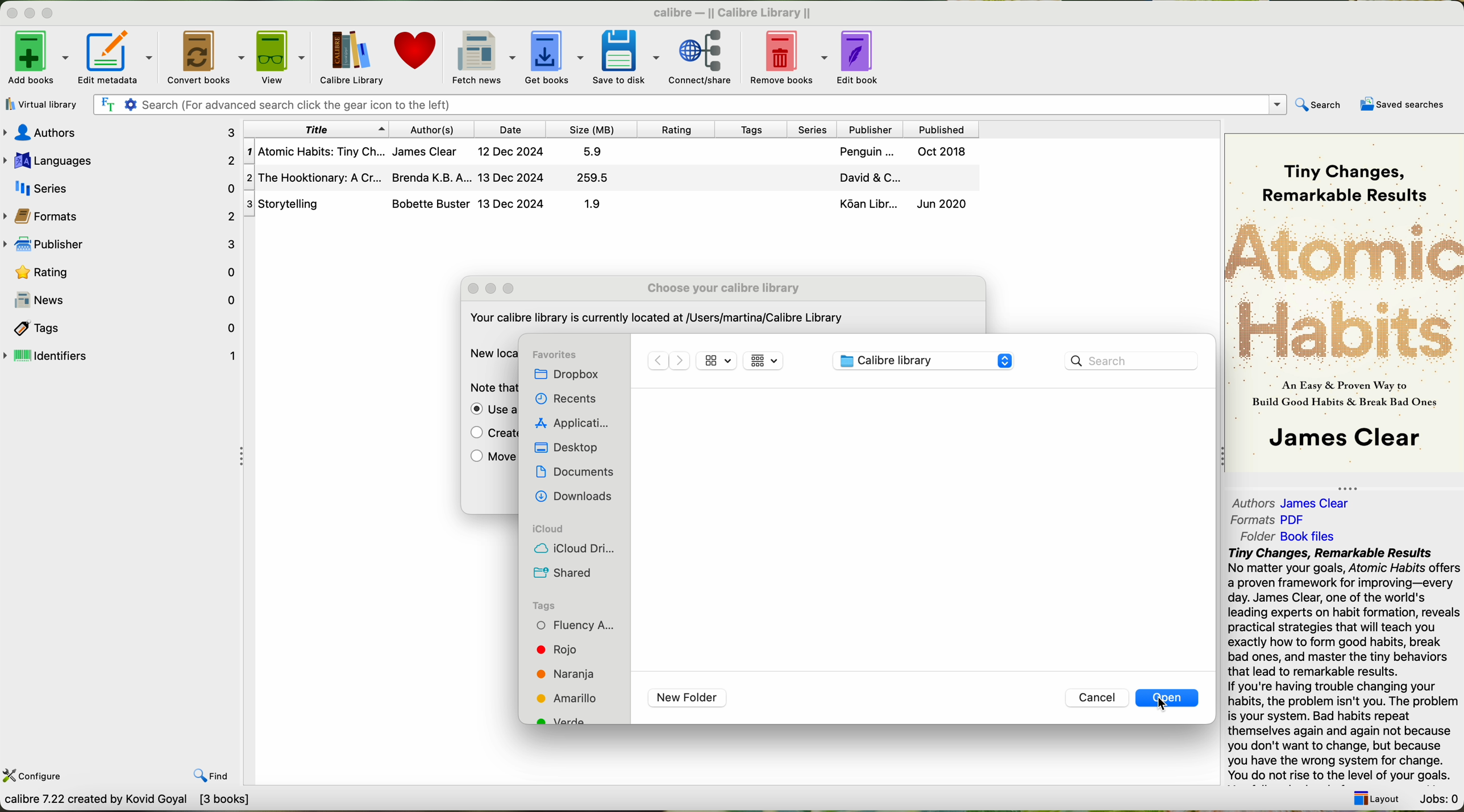 This screenshot has height=812, width=1464. I want to click on icon views, so click(763, 360).